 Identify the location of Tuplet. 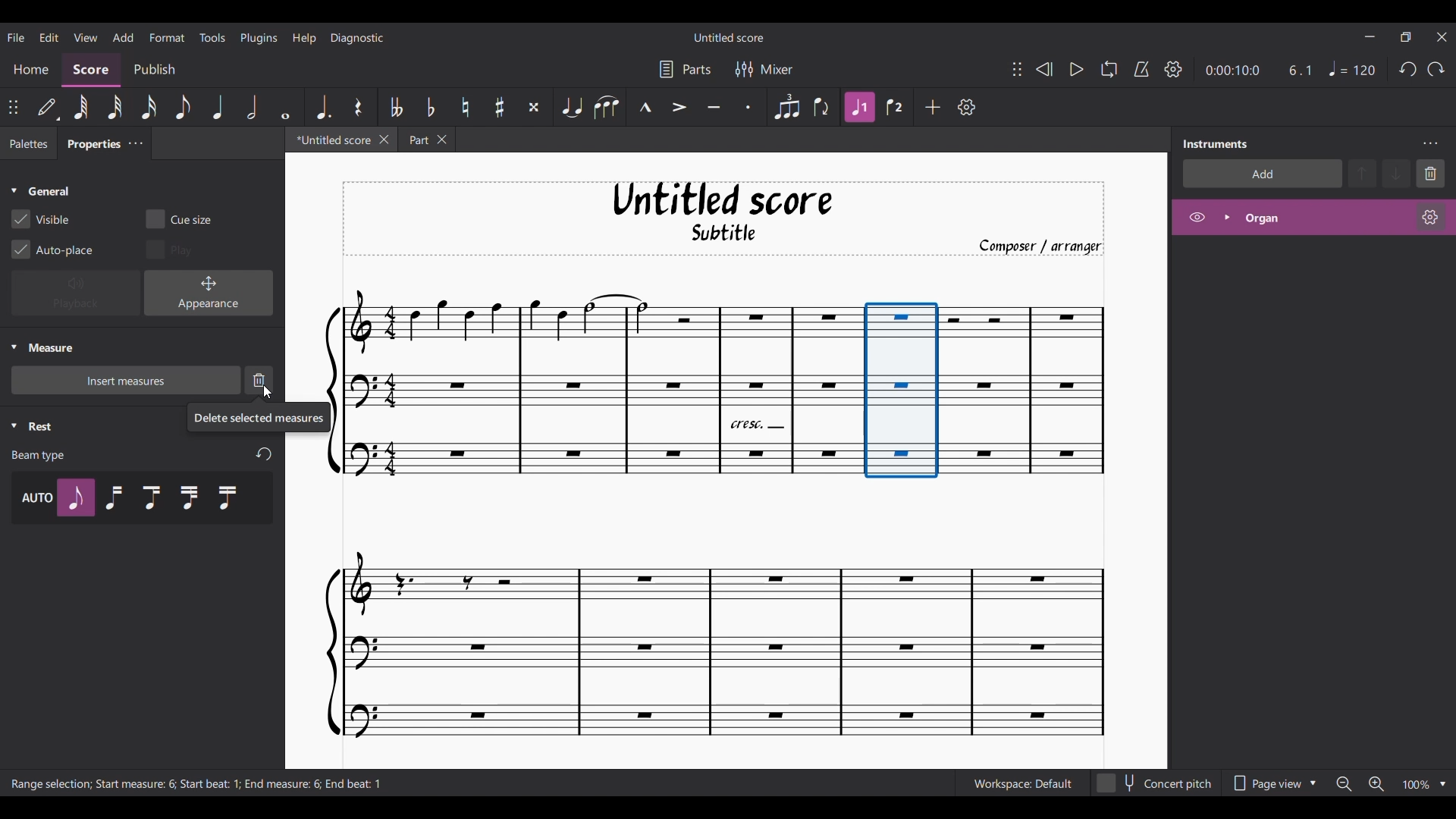
(785, 107).